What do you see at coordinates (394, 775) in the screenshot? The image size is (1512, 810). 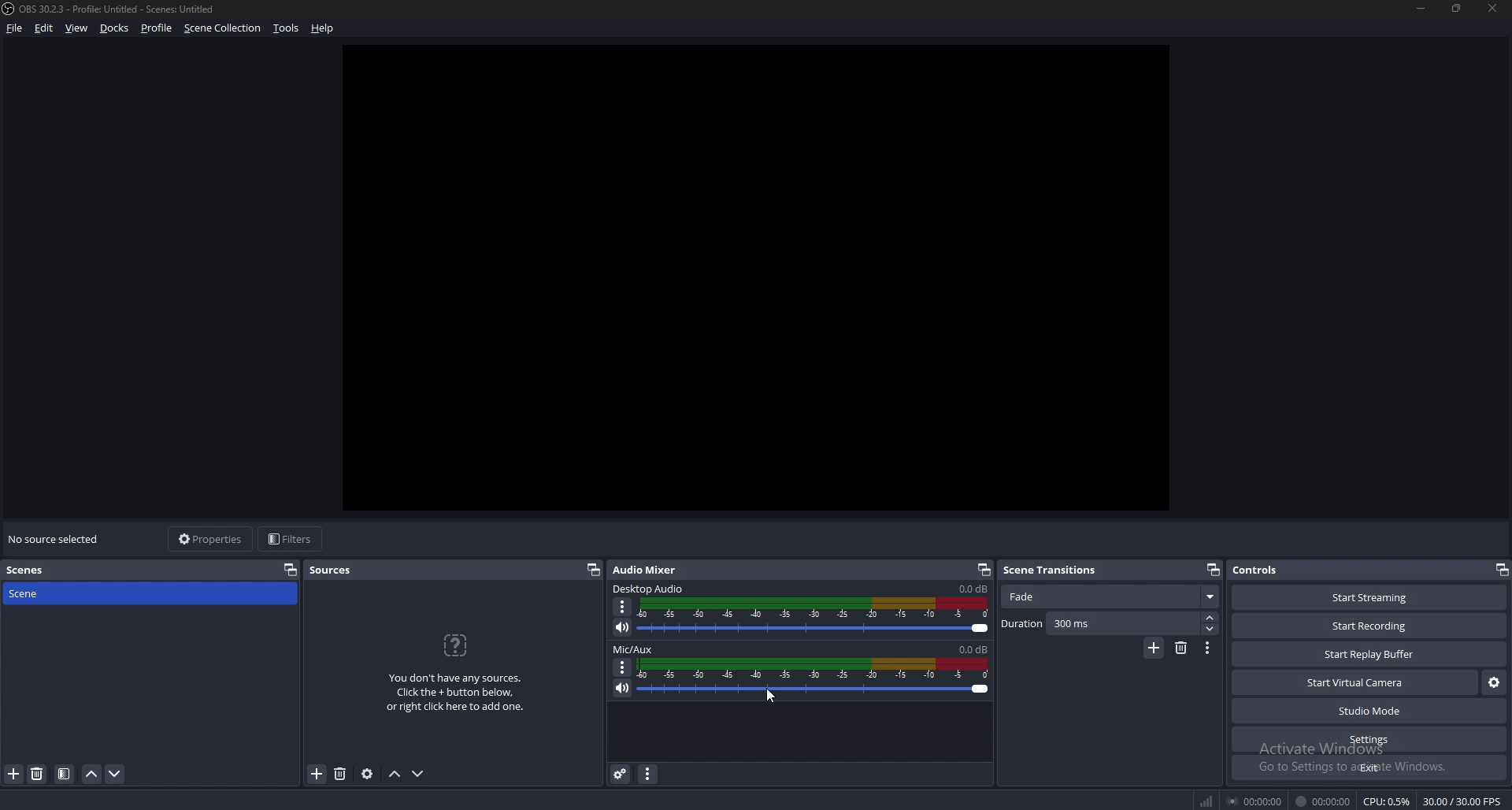 I see `move source up` at bounding box center [394, 775].